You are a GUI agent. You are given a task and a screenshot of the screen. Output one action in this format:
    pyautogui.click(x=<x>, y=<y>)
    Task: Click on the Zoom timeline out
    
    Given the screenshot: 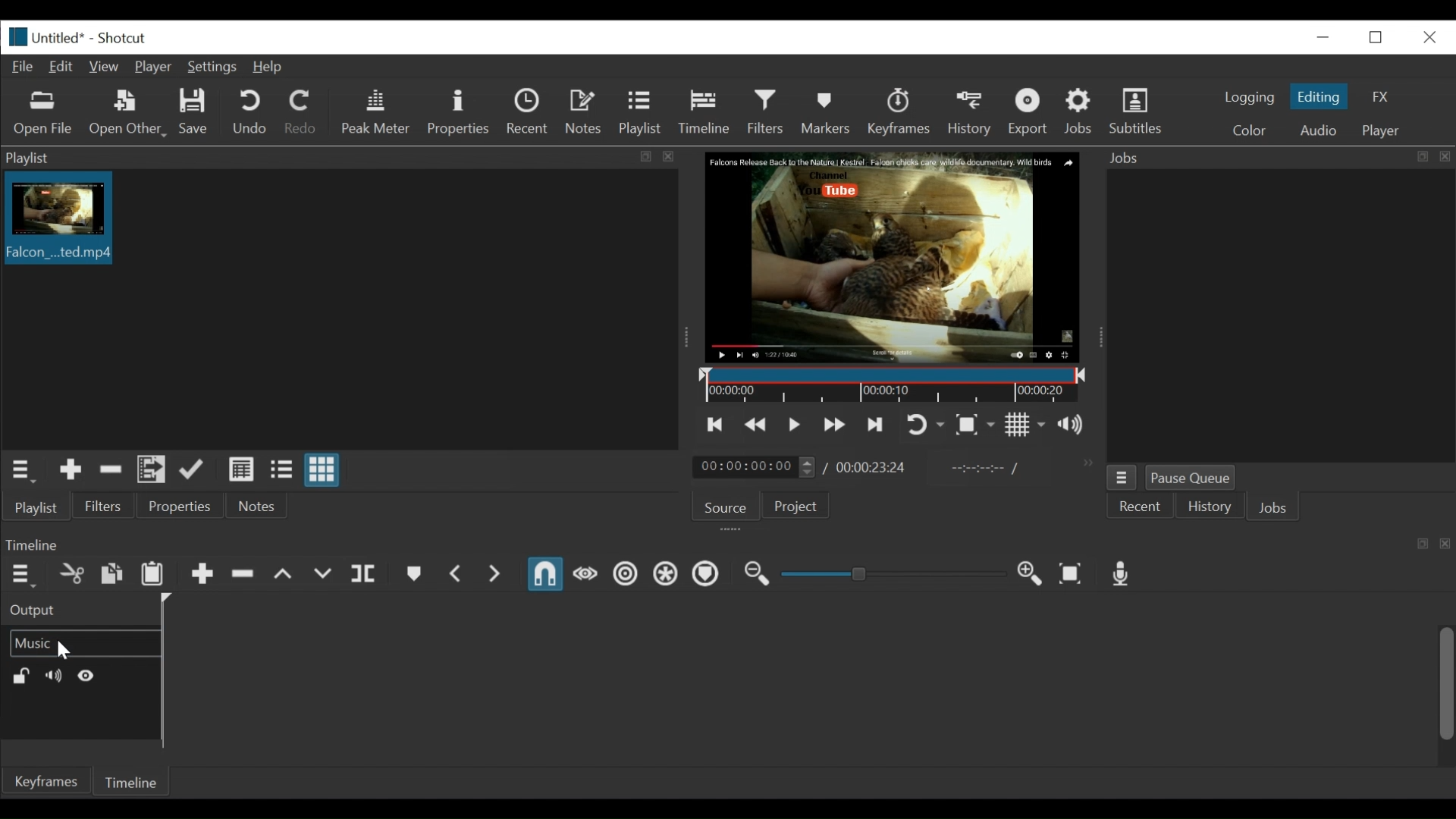 What is the action you would take?
    pyautogui.click(x=755, y=574)
    